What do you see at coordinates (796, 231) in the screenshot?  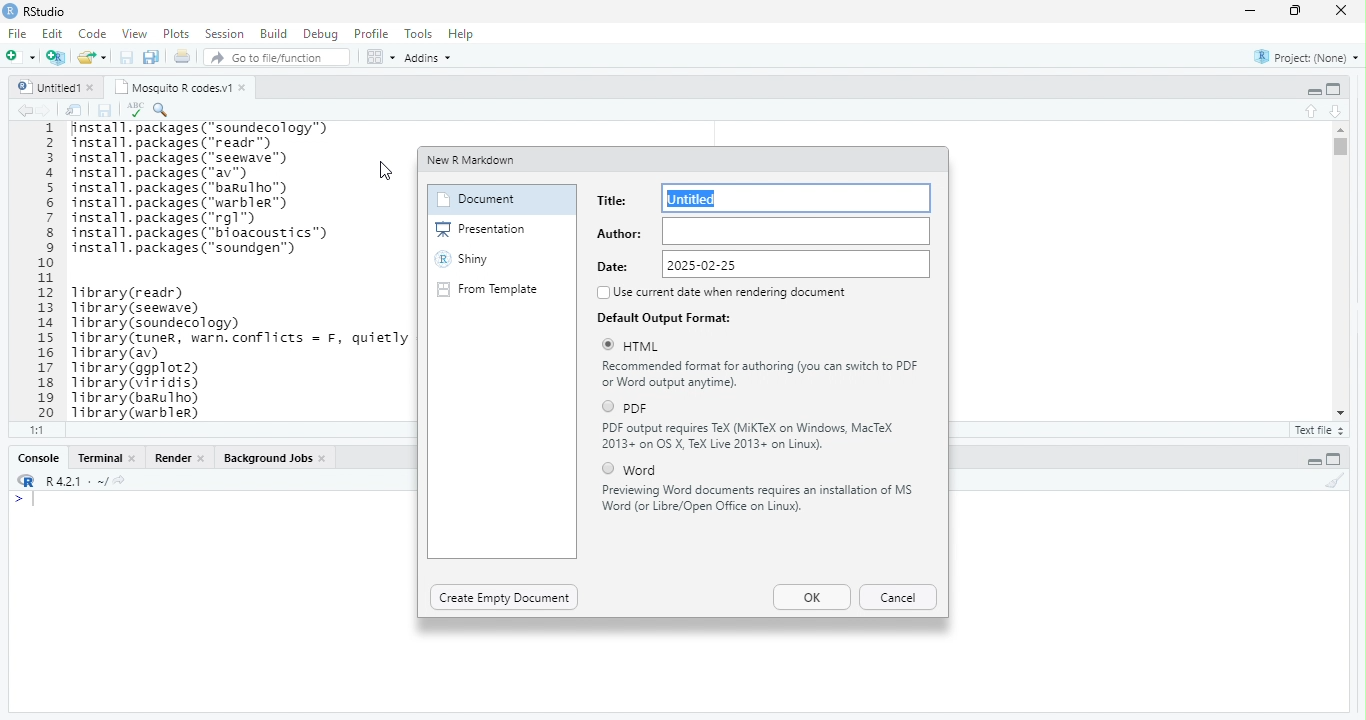 I see `Author` at bounding box center [796, 231].